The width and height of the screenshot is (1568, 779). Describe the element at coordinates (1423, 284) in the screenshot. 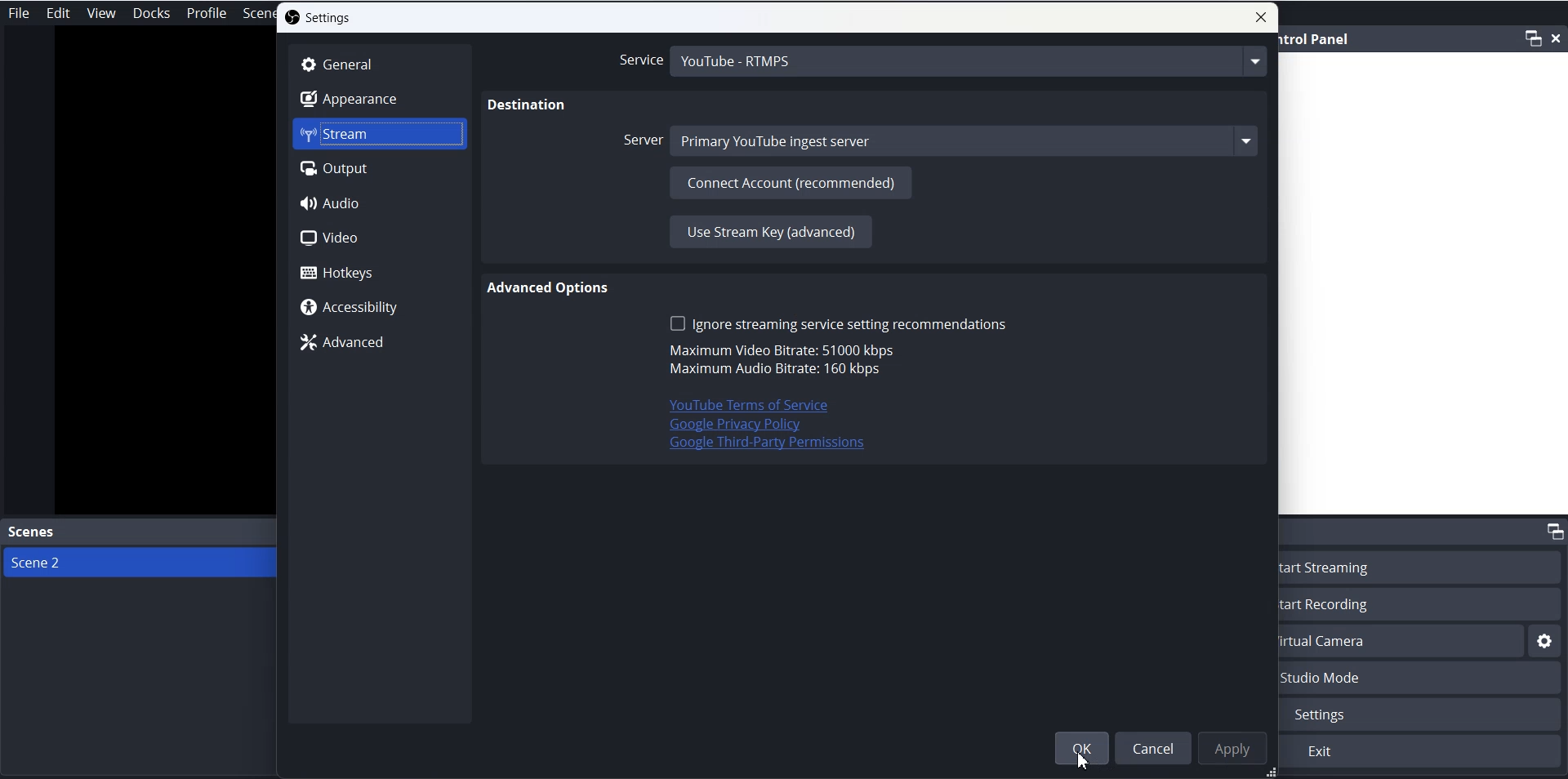

I see `white space` at that location.